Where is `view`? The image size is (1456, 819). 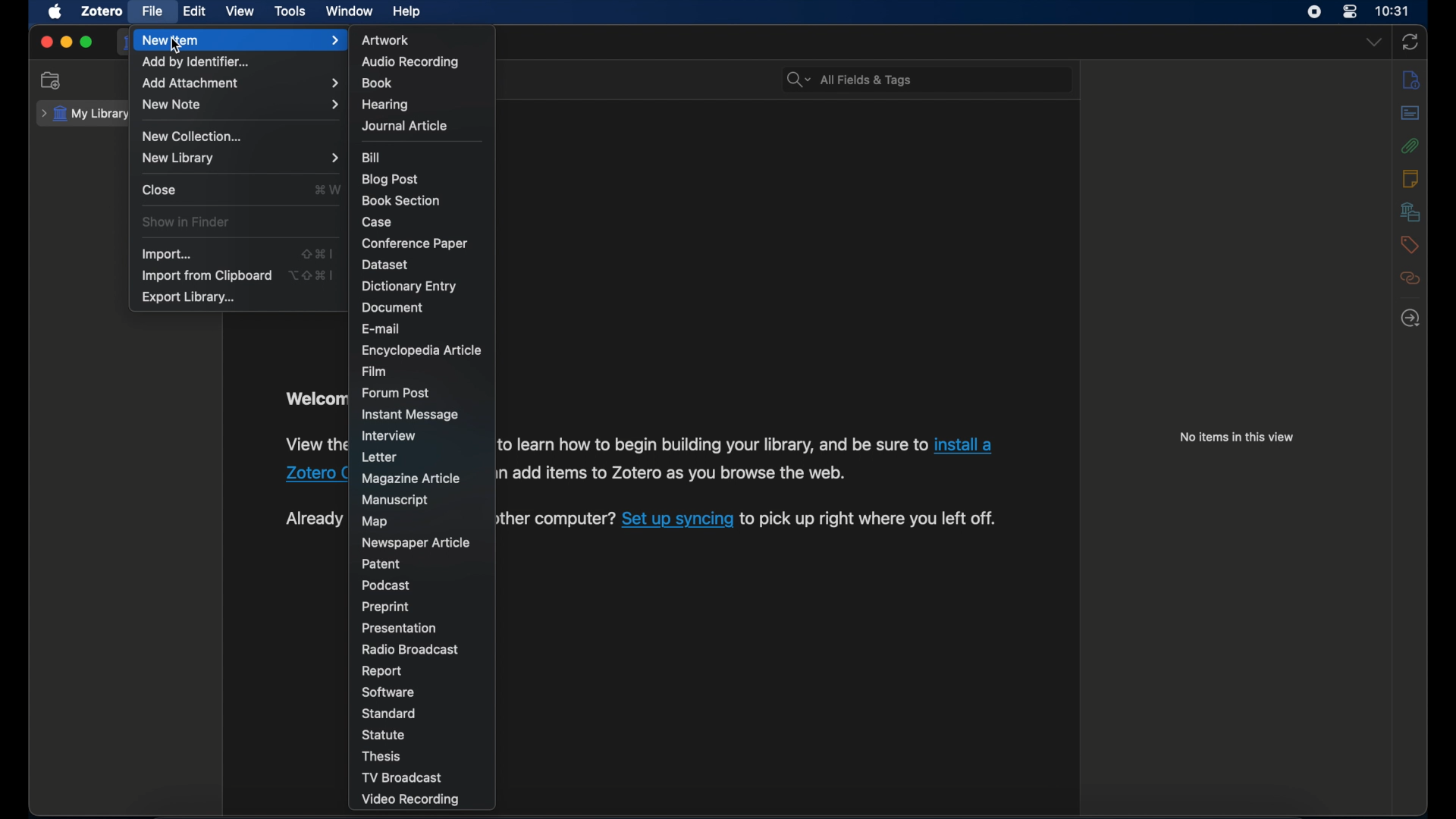
view is located at coordinates (240, 12).